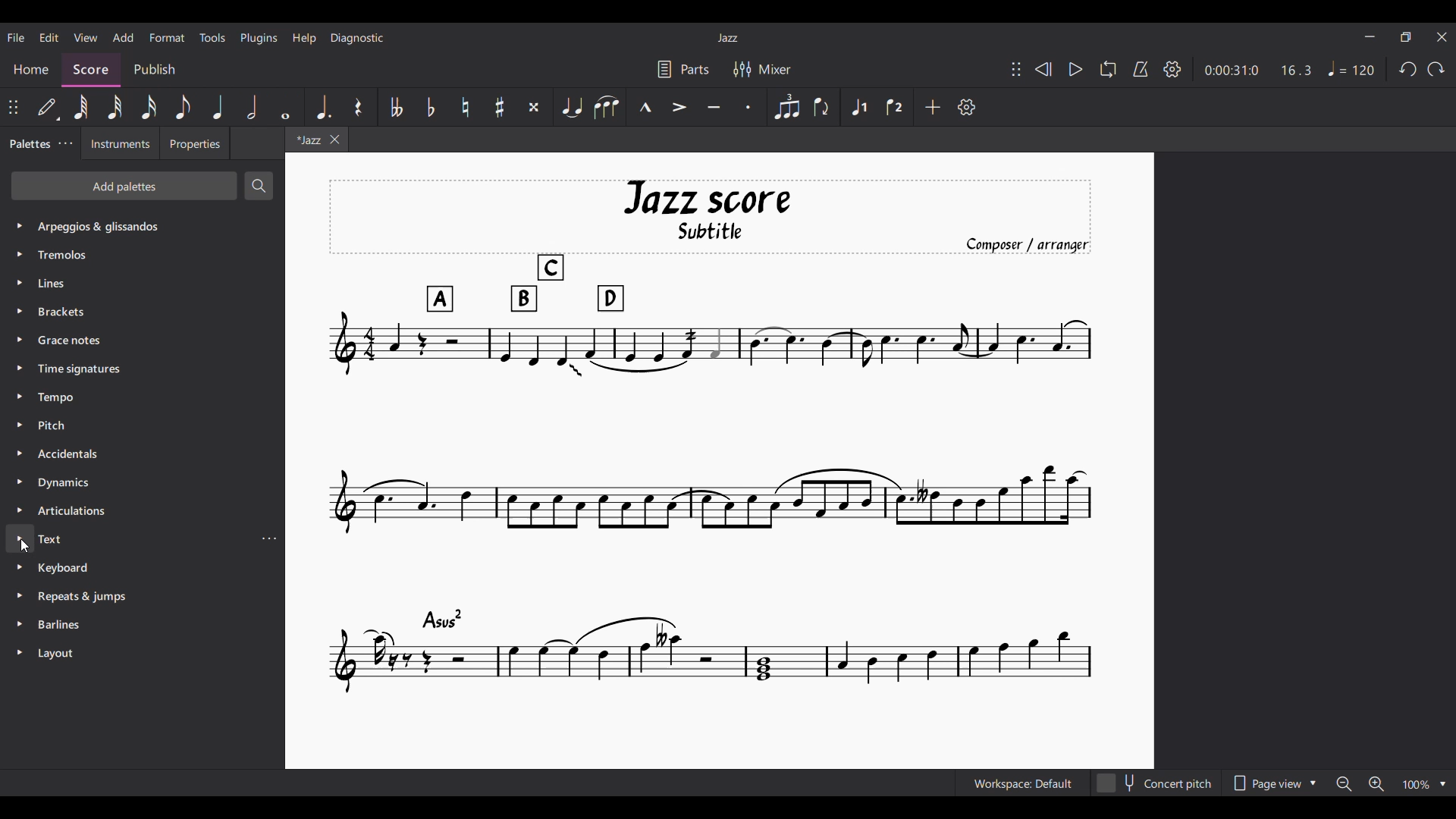 This screenshot has width=1456, height=819. Describe the element at coordinates (334, 140) in the screenshot. I see `Close tab` at that location.